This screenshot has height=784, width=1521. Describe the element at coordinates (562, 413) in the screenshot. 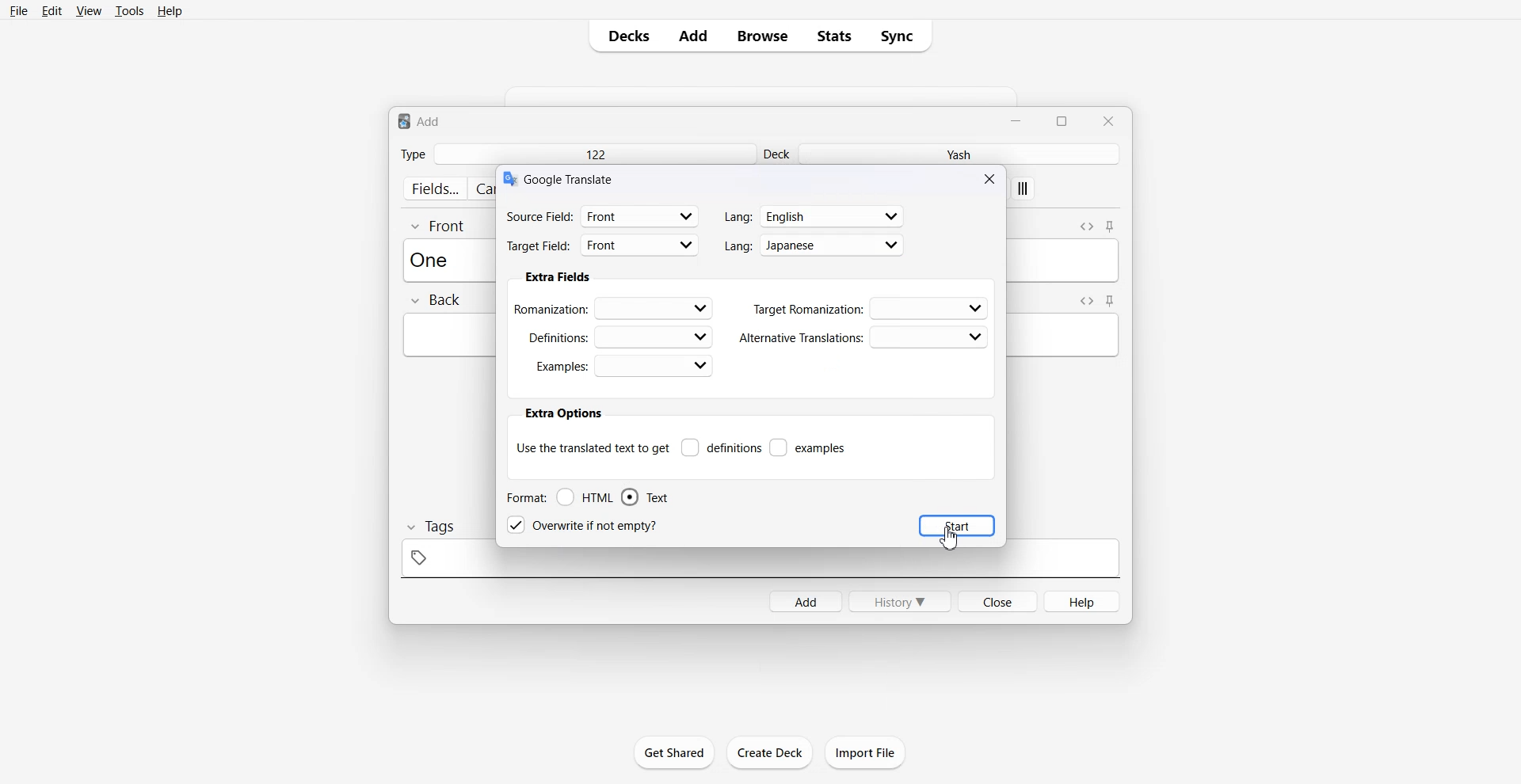

I see `extra options` at that location.